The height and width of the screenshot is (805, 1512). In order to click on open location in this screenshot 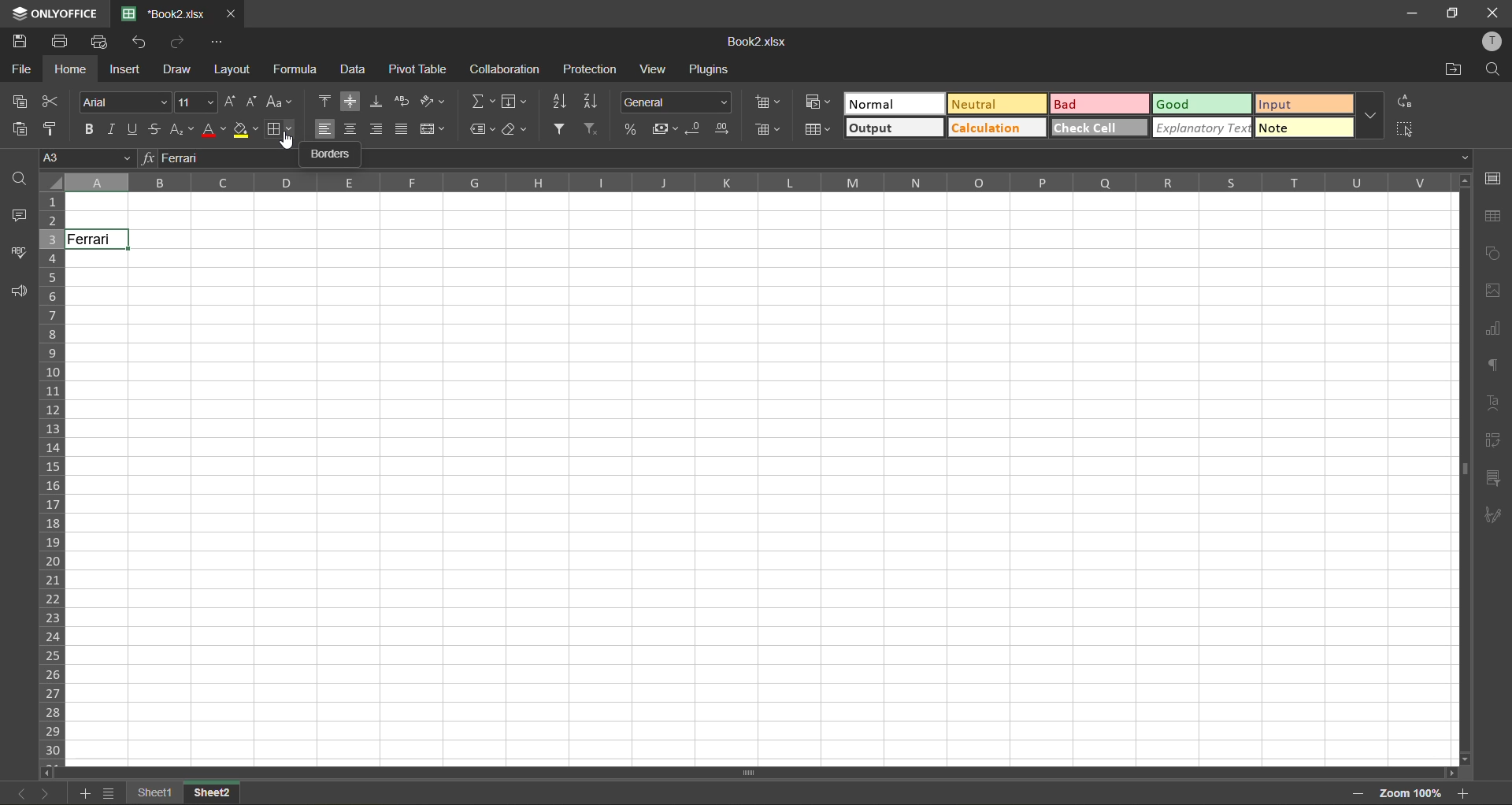, I will do `click(1455, 71)`.